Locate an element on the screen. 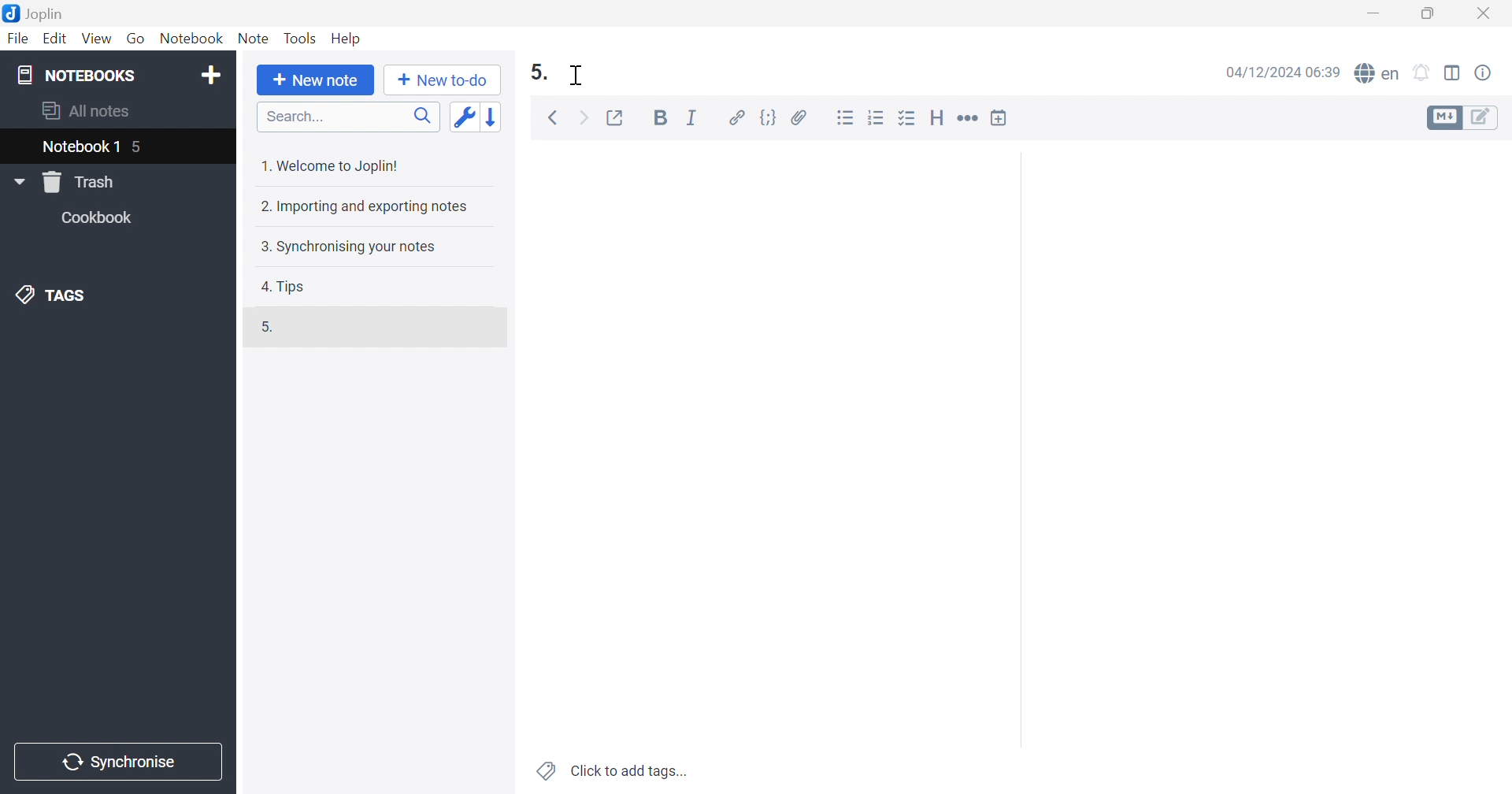  Cursor is located at coordinates (579, 74).